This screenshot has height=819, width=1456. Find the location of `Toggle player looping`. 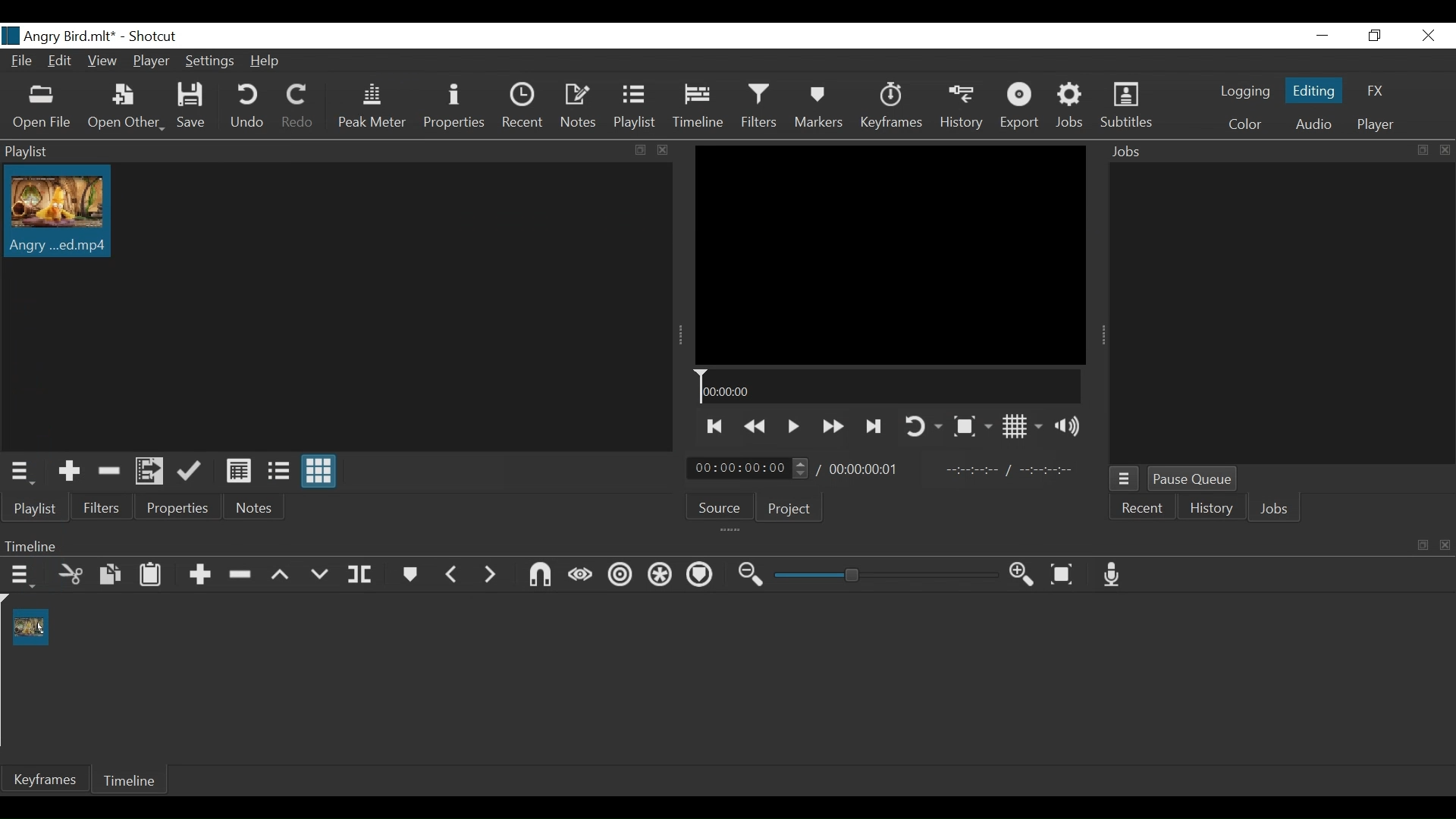

Toggle player looping is located at coordinates (923, 427).